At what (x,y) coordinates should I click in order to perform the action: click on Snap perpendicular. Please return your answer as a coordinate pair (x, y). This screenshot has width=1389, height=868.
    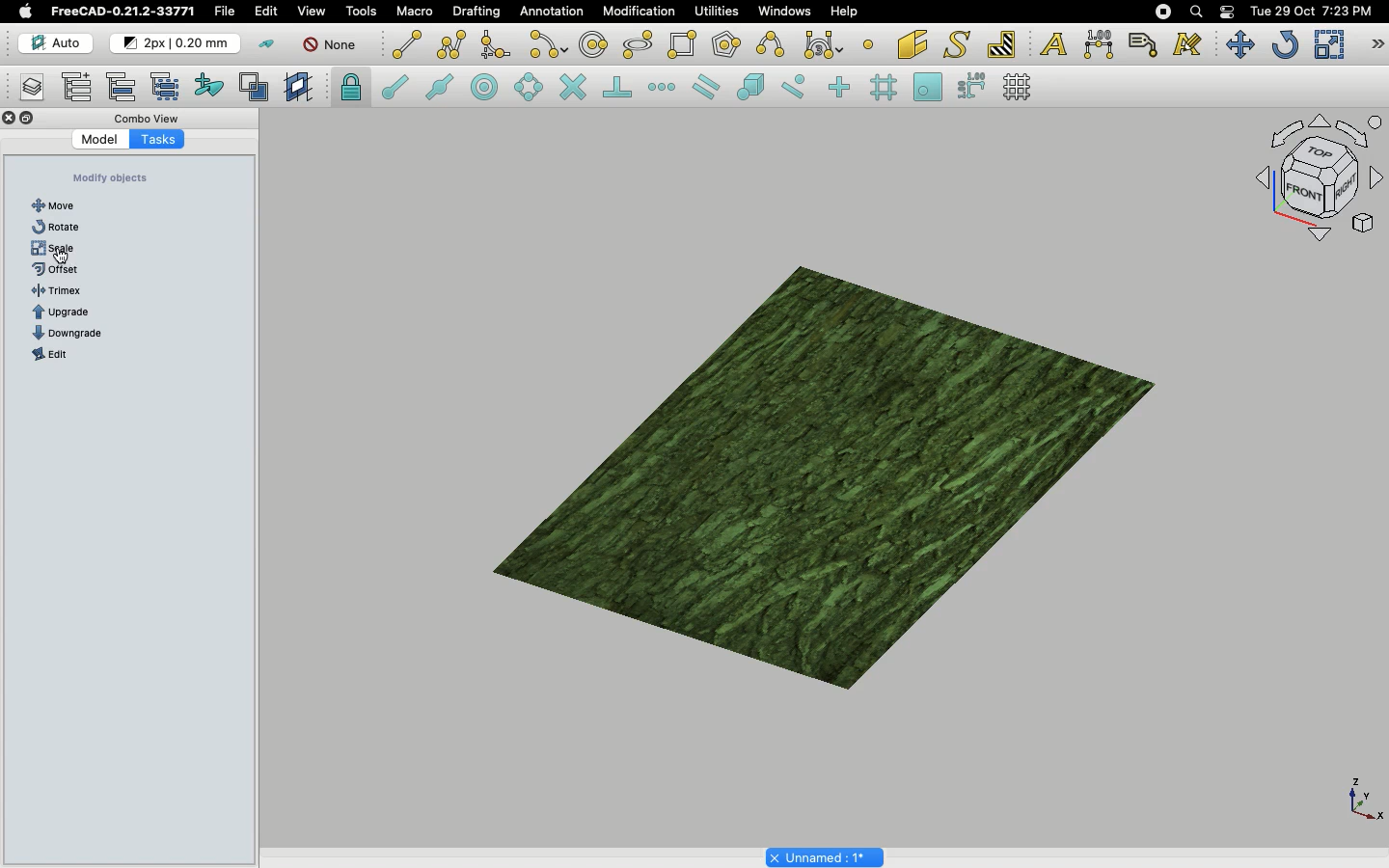
    Looking at the image, I should click on (614, 86).